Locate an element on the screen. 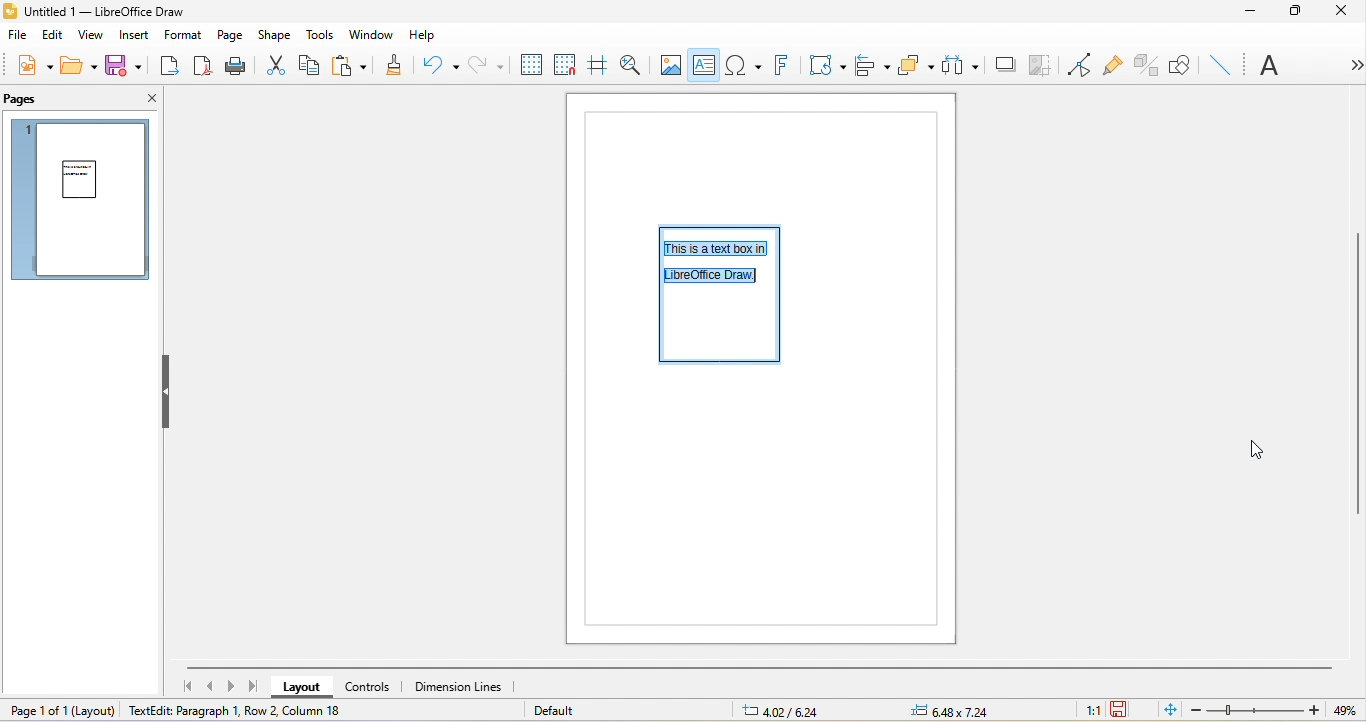  toggle point edit mode is located at coordinates (1077, 63).